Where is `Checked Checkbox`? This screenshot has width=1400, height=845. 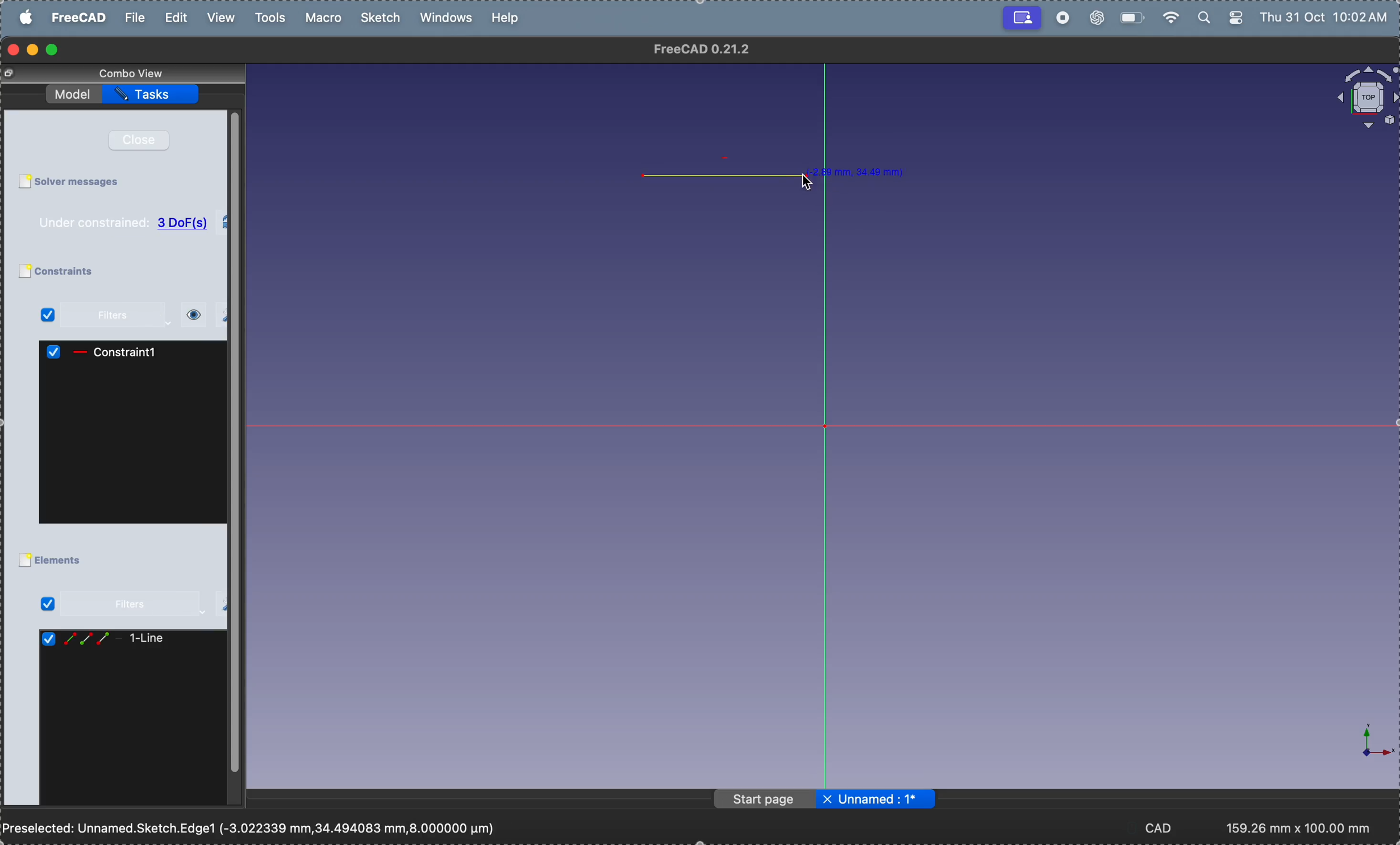
Checked Checkbox is located at coordinates (48, 316).